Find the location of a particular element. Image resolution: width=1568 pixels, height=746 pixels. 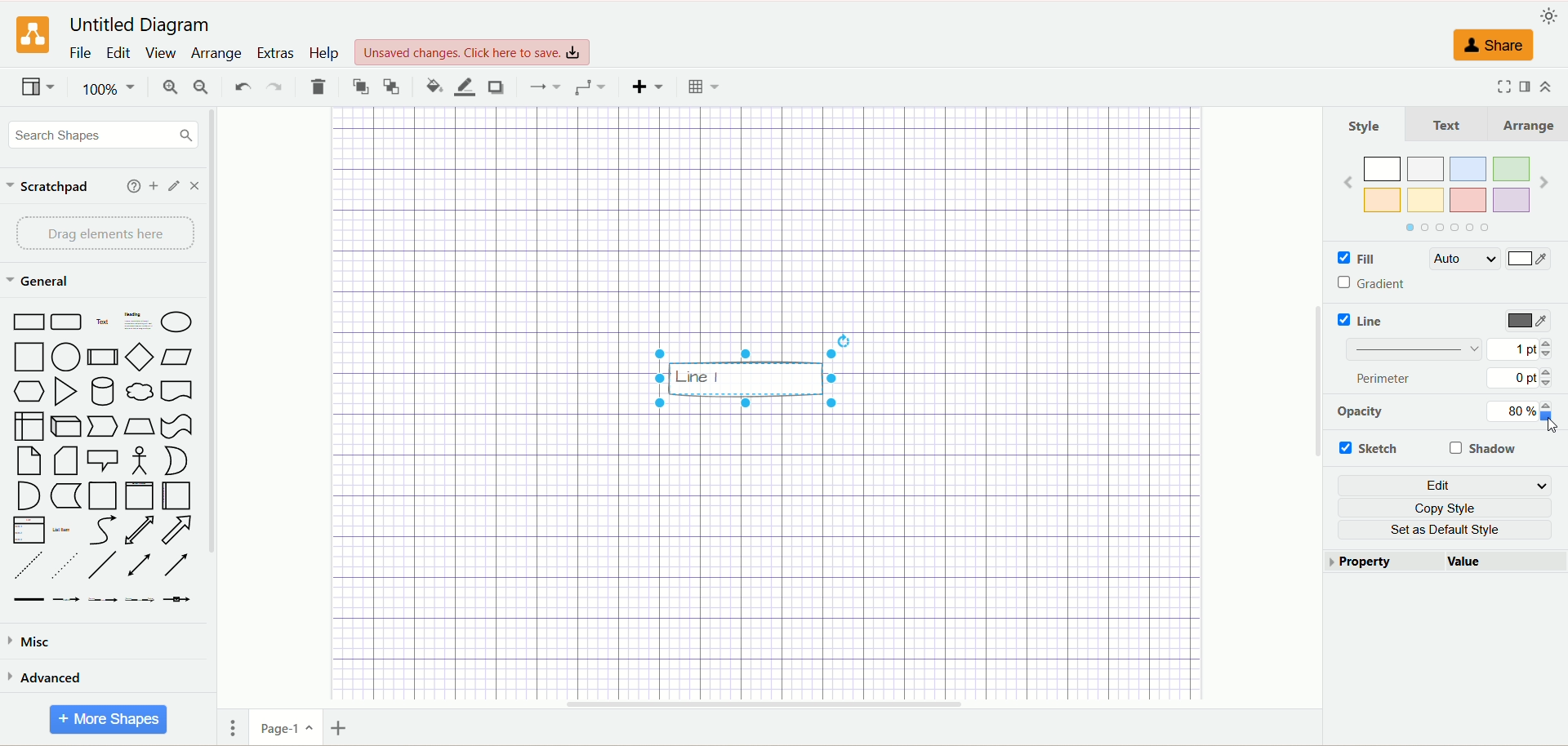

Line is located at coordinates (1372, 322).